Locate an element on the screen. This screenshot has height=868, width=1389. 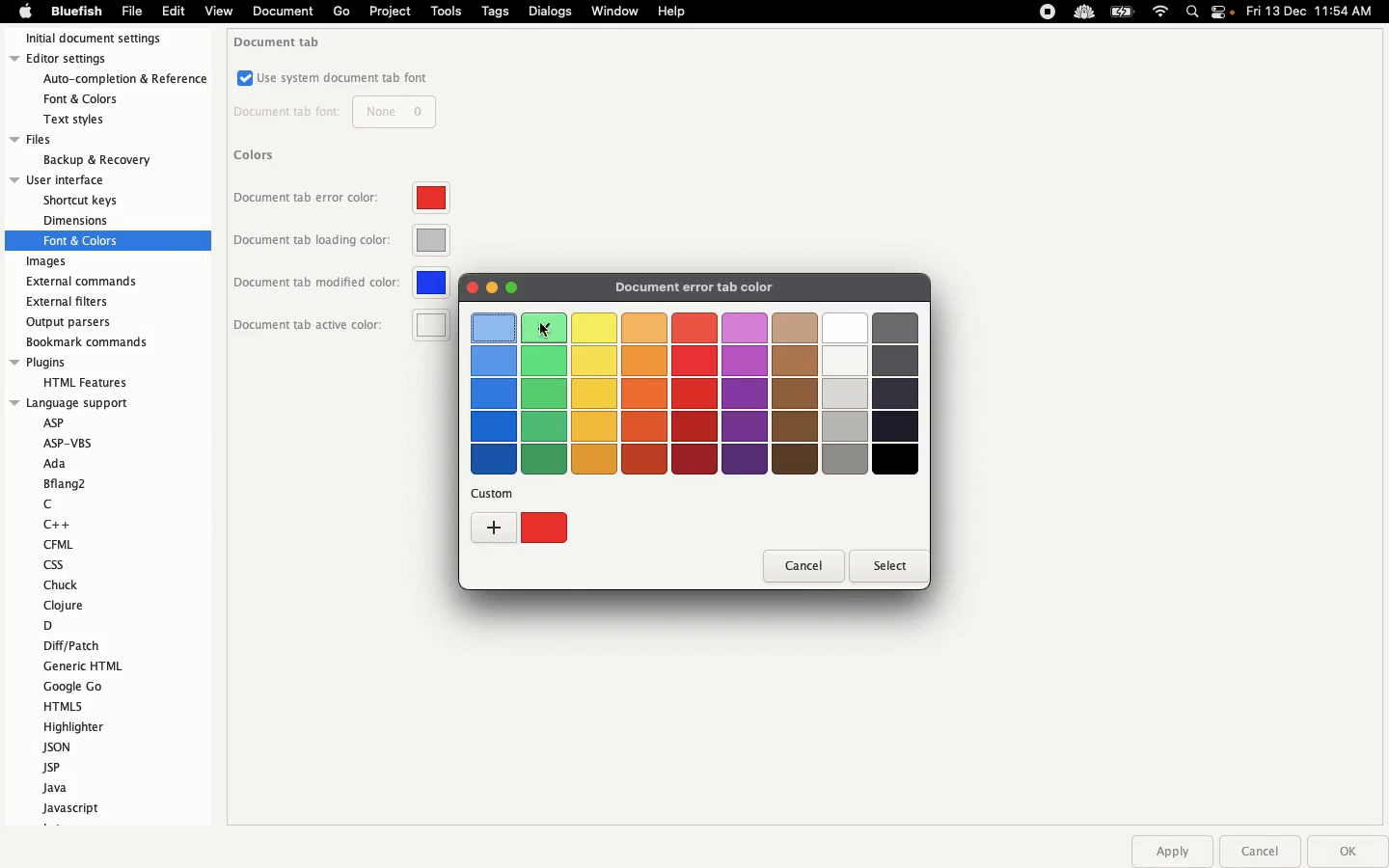
Document tab modified color is located at coordinates (342, 283).